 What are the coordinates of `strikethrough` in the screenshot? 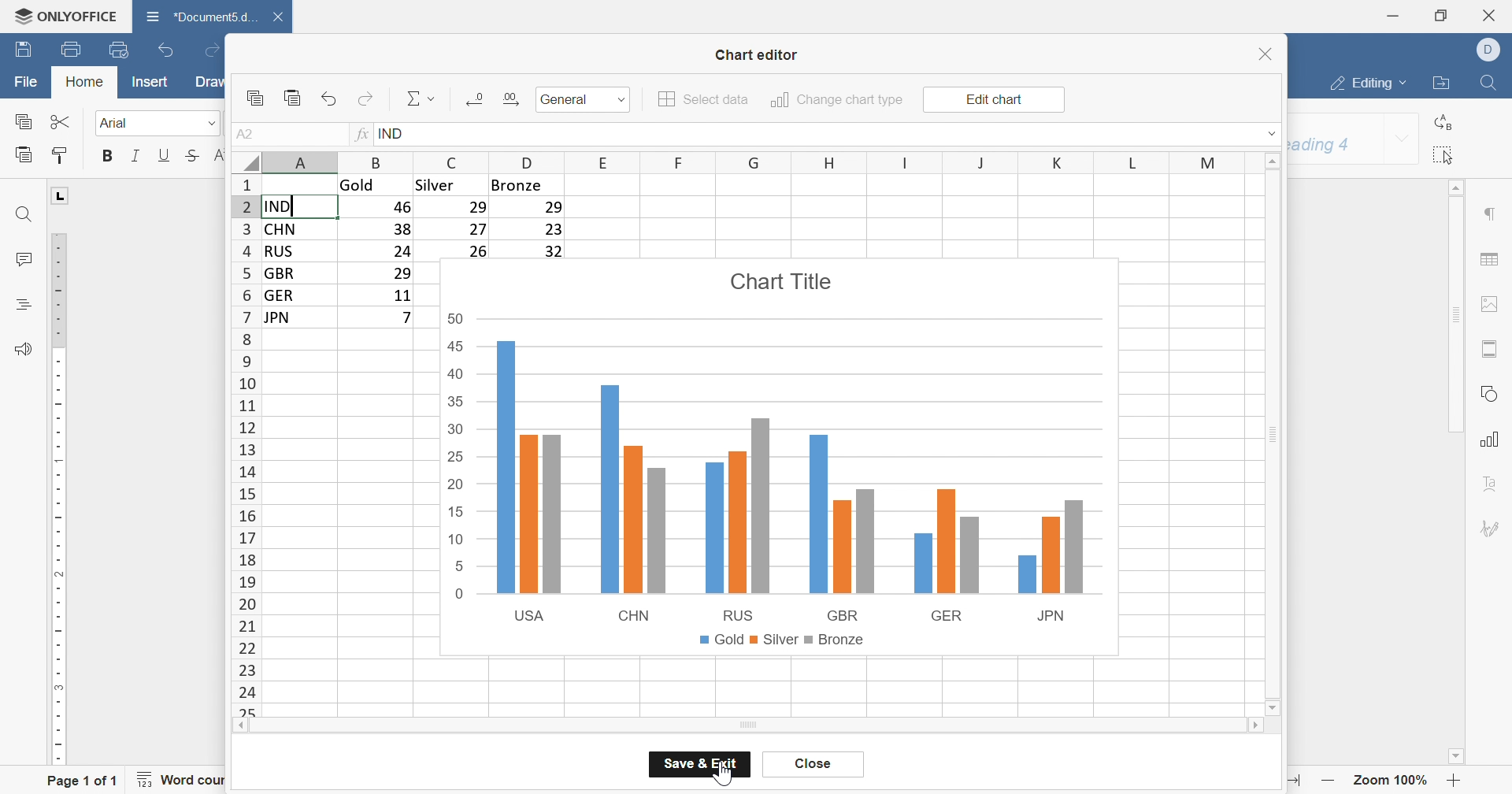 It's located at (192, 155).